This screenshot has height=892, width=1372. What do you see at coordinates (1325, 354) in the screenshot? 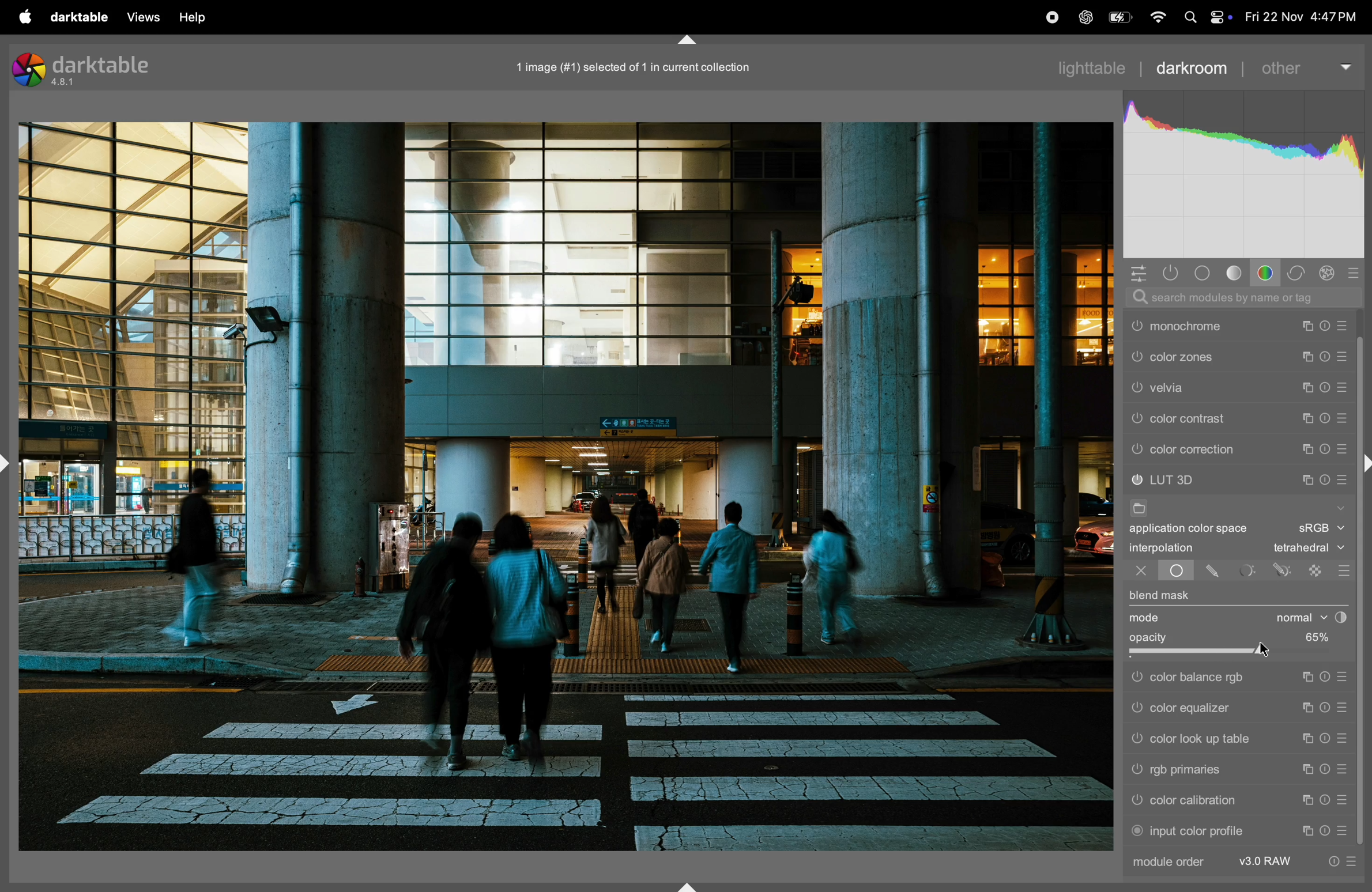
I see `reset` at bounding box center [1325, 354].